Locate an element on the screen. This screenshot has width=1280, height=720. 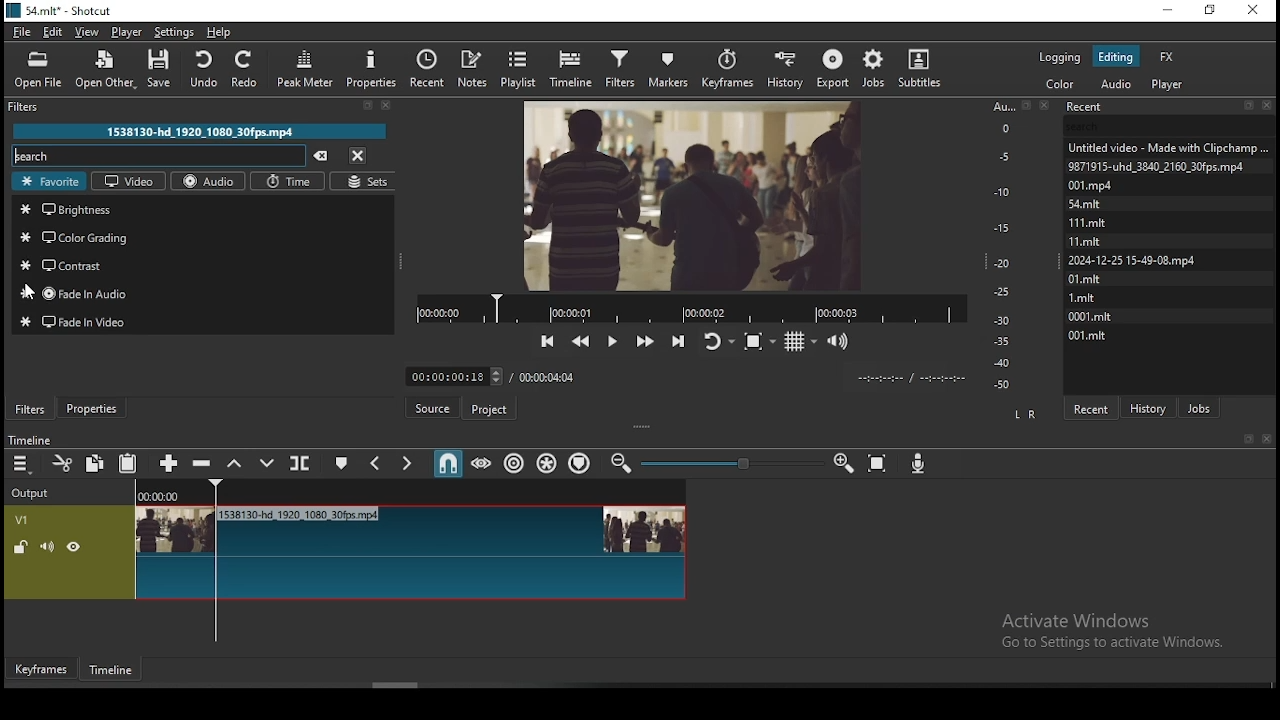
54.mit is located at coordinates (1084, 203).